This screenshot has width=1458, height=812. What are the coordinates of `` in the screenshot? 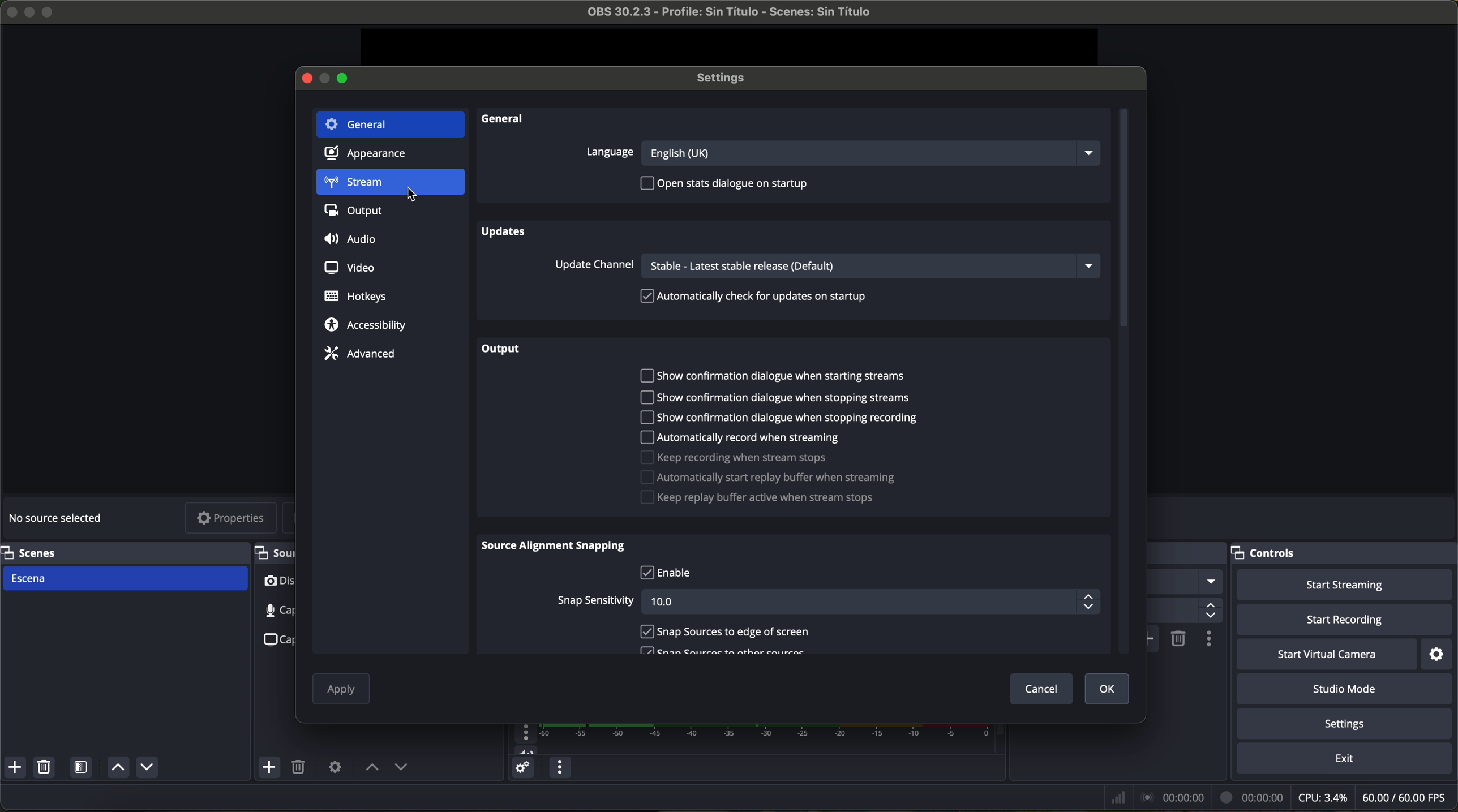 It's located at (1187, 553).